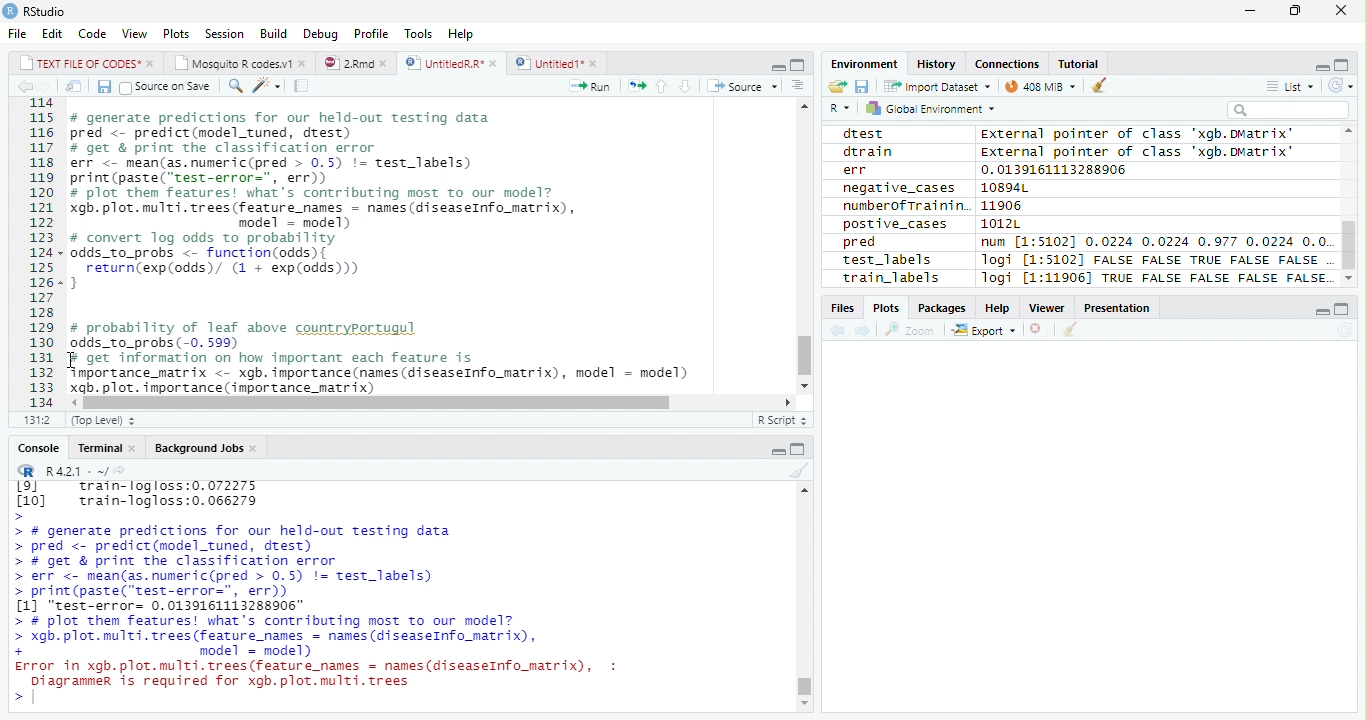 This screenshot has width=1366, height=720. Describe the element at coordinates (301, 85) in the screenshot. I see `Compile Report` at that location.